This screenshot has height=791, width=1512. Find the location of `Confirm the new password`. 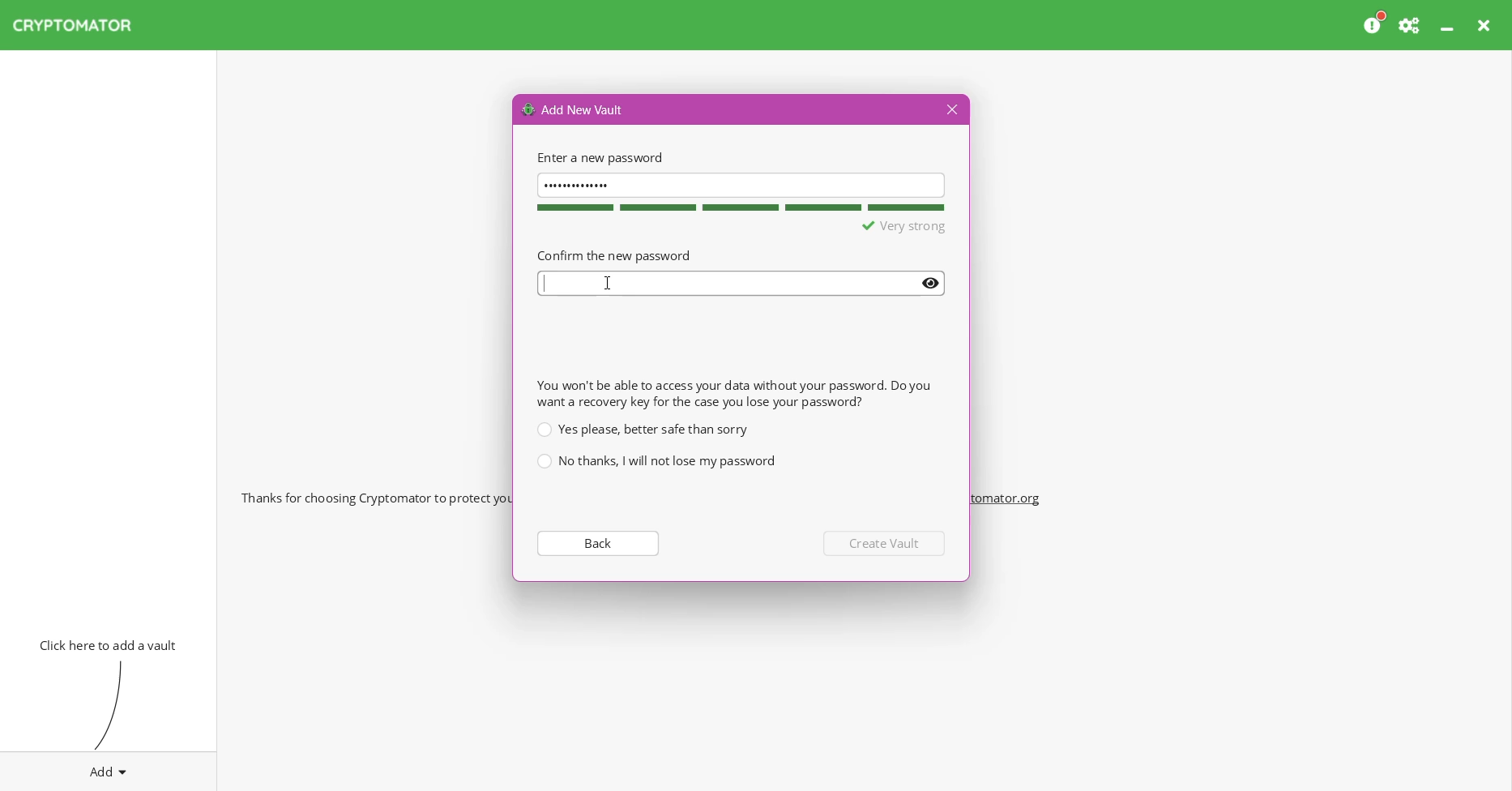

Confirm the new password is located at coordinates (613, 254).